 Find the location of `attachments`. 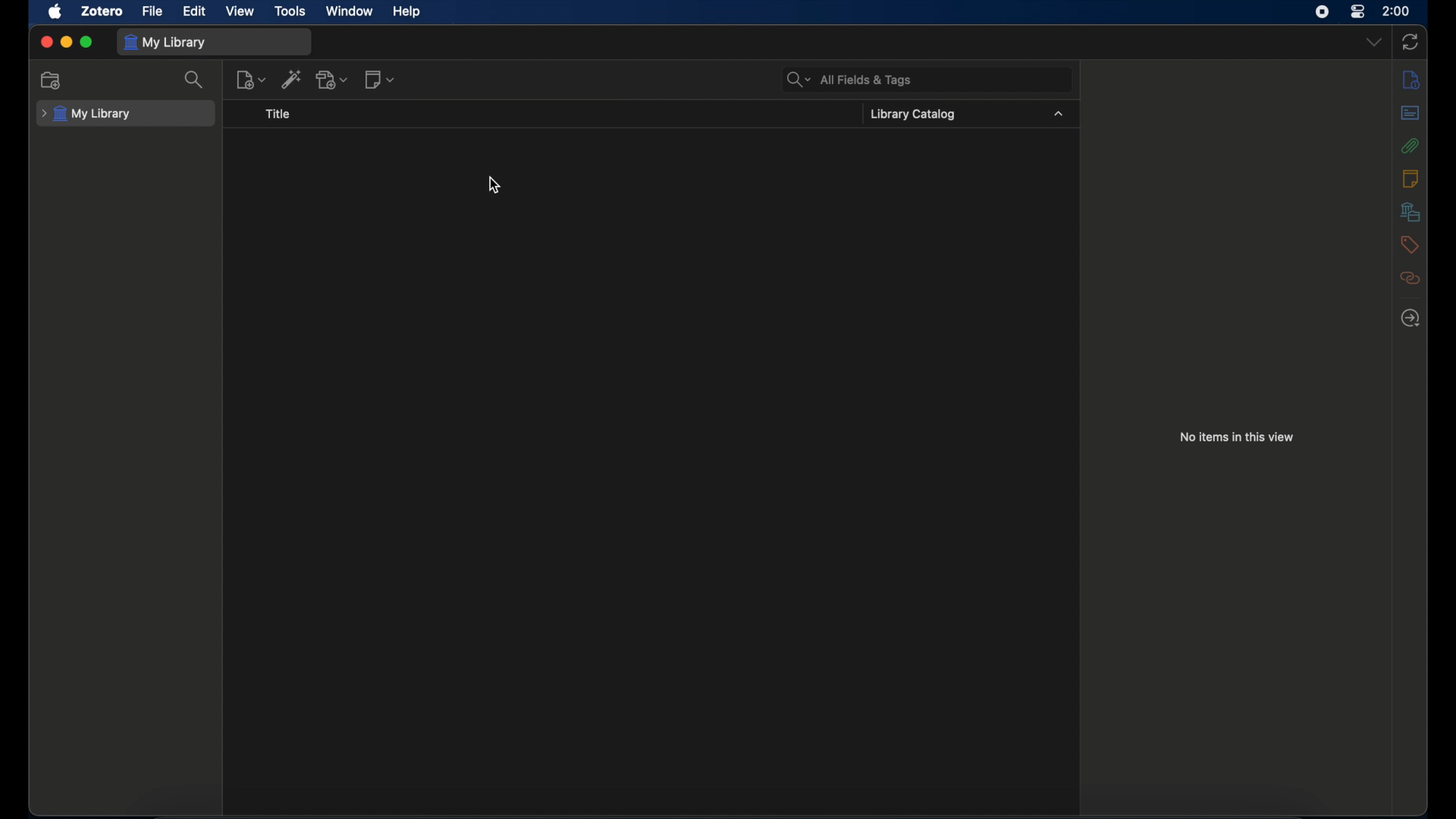

attachments is located at coordinates (1412, 146).